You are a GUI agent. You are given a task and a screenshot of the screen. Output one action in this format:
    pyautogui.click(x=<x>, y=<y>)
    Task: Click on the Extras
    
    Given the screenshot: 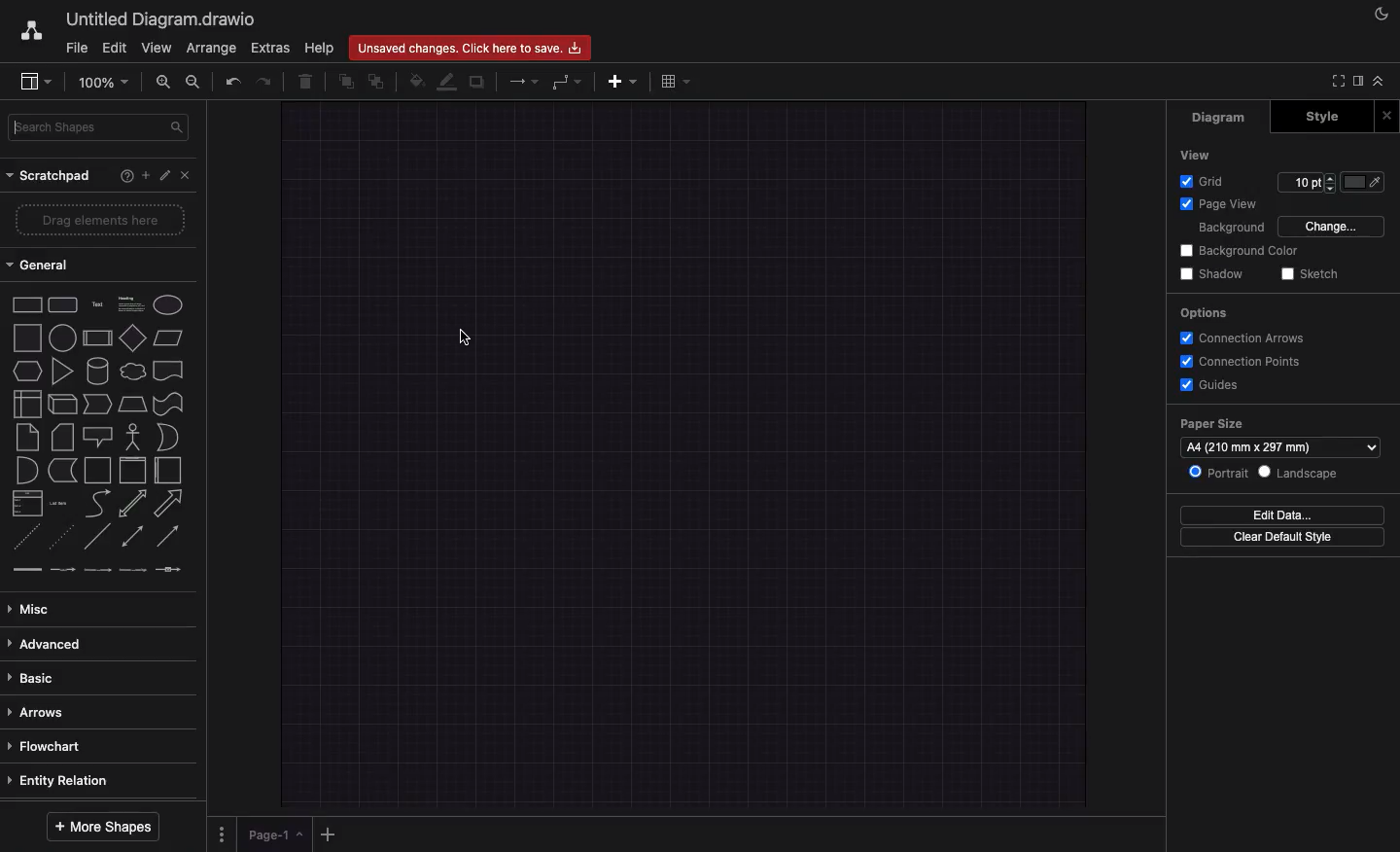 What is the action you would take?
    pyautogui.click(x=269, y=48)
    